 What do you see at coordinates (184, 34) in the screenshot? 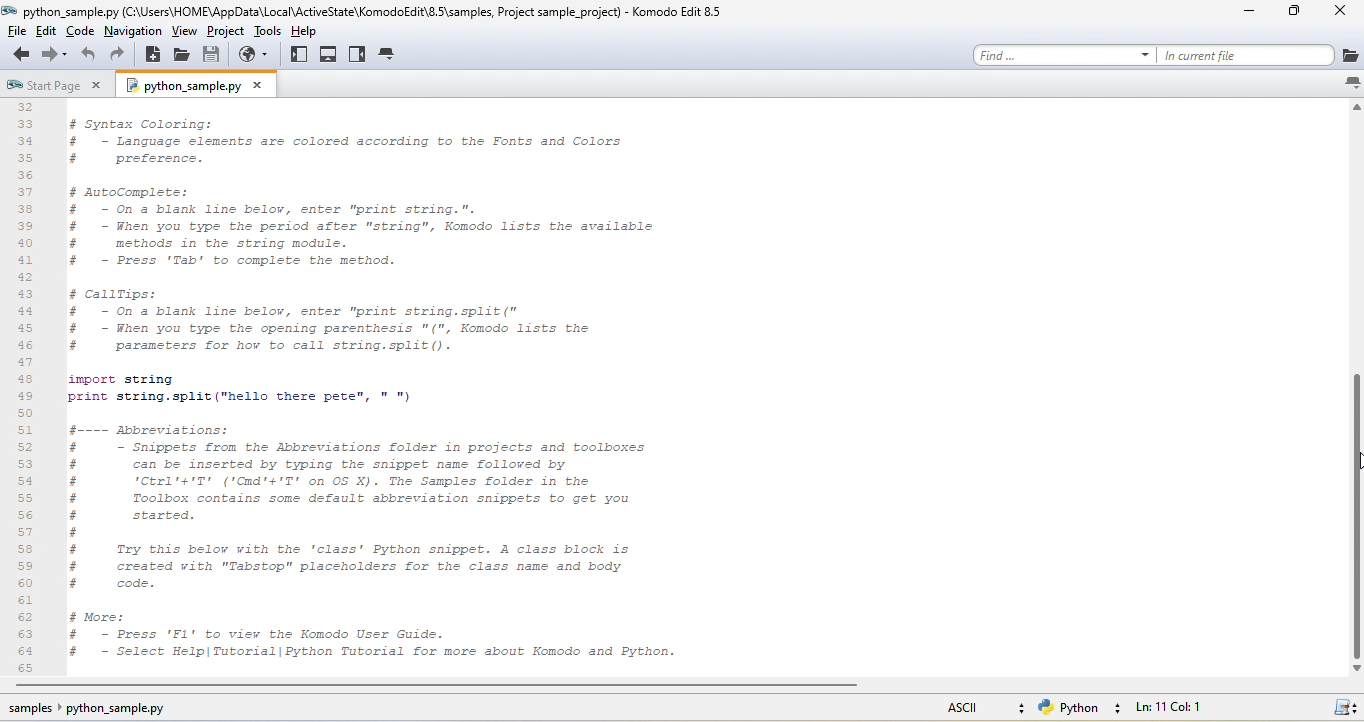
I see `view` at bounding box center [184, 34].